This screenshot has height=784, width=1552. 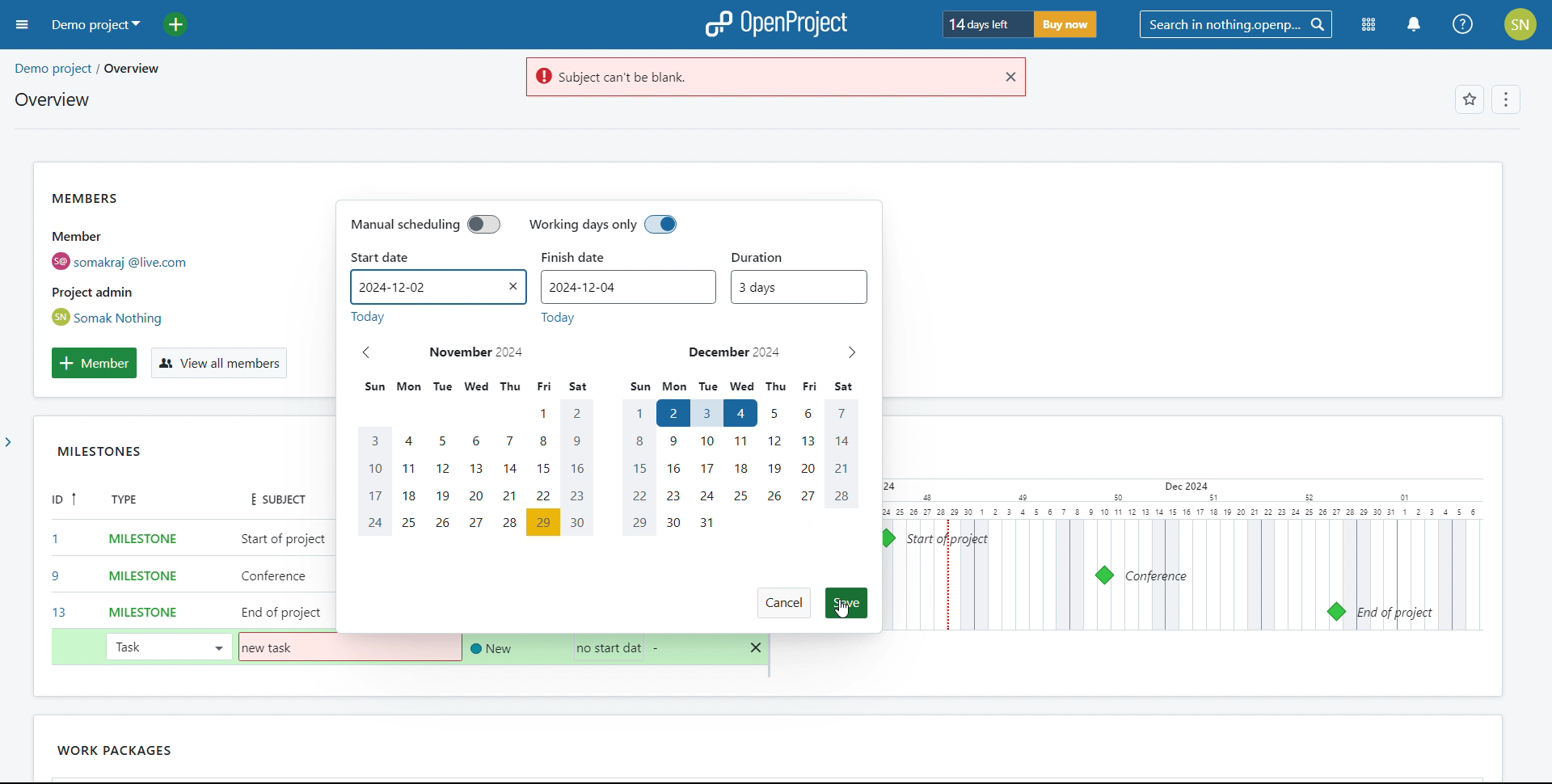 I want to click on set type, so click(x=134, y=573).